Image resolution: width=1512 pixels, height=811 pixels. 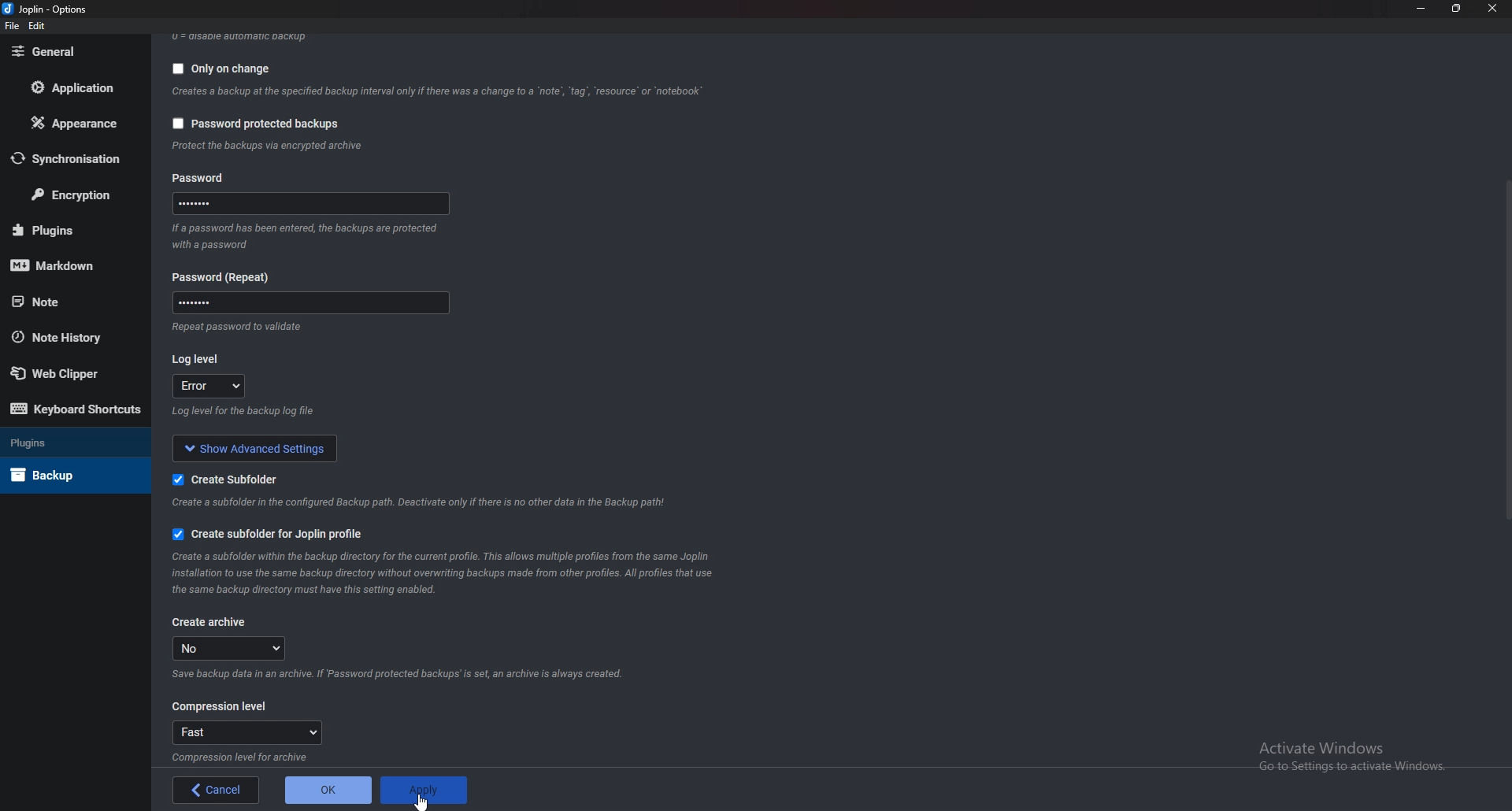 I want to click on password, so click(x=202, y=178).